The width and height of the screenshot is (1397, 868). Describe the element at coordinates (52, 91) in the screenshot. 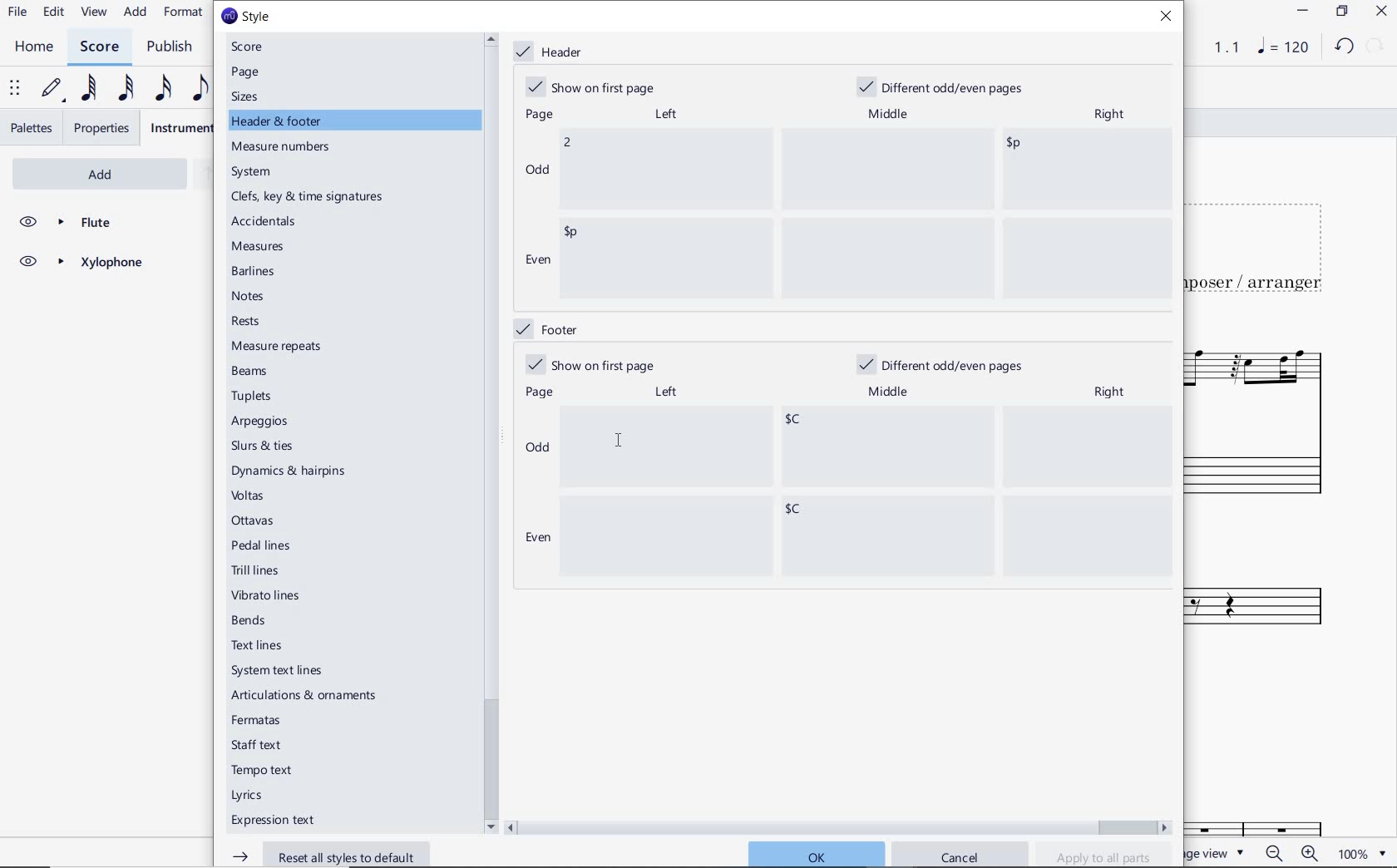

I see `DEFAULT (STEP TIME)` at that location.